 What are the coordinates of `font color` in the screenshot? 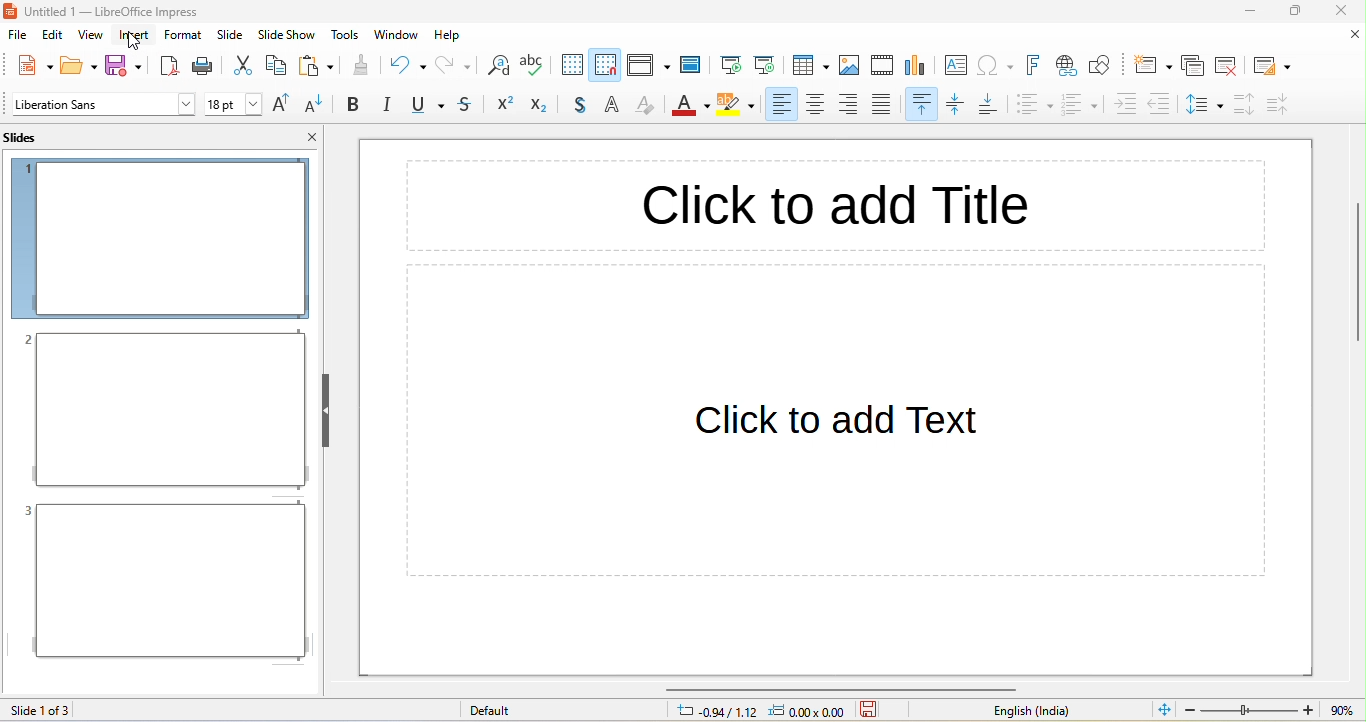 It's located at (689, 108).